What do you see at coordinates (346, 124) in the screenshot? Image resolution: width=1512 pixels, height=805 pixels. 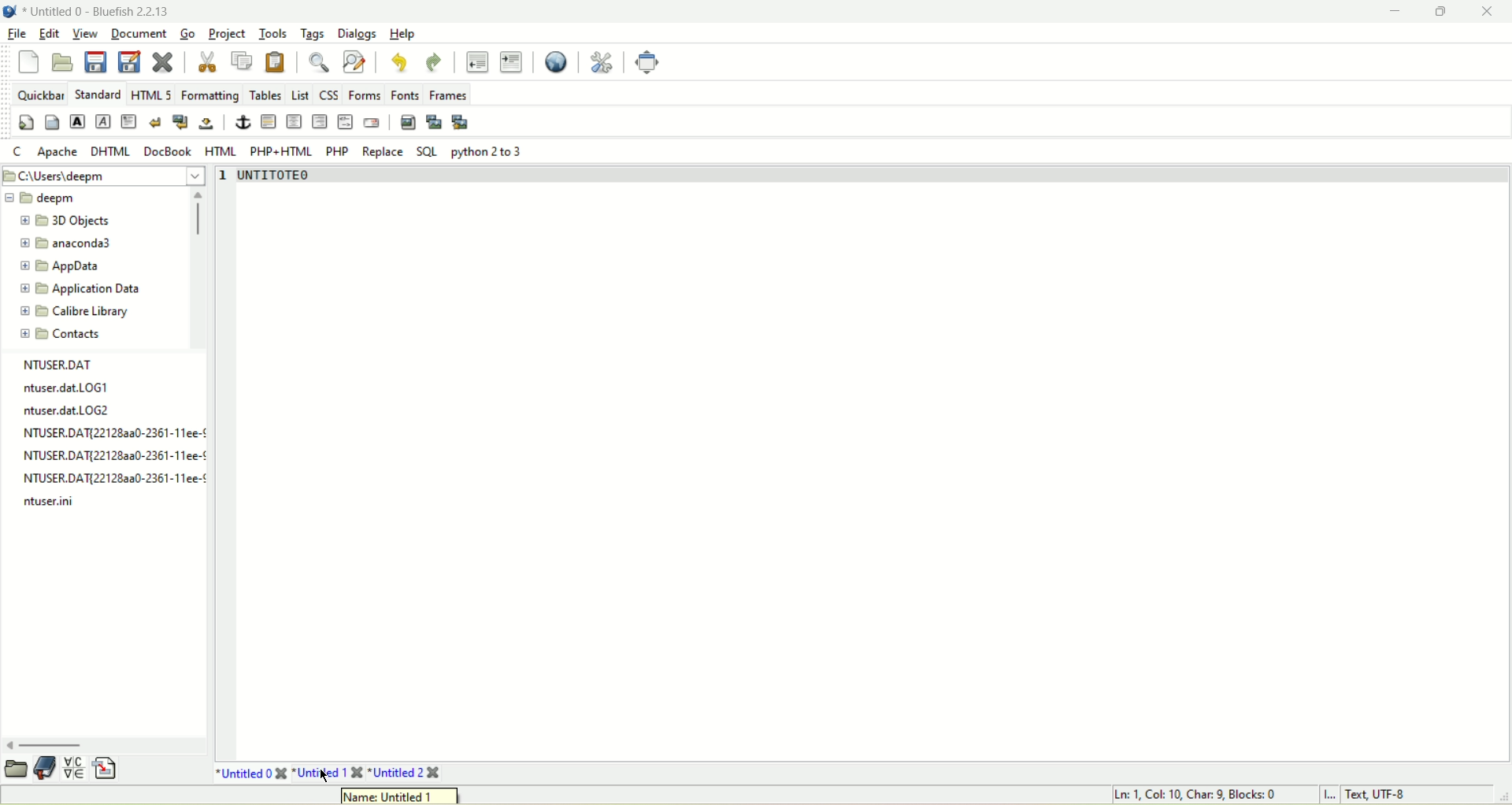 I see `HTML comment` at bounding box center [346, 124].